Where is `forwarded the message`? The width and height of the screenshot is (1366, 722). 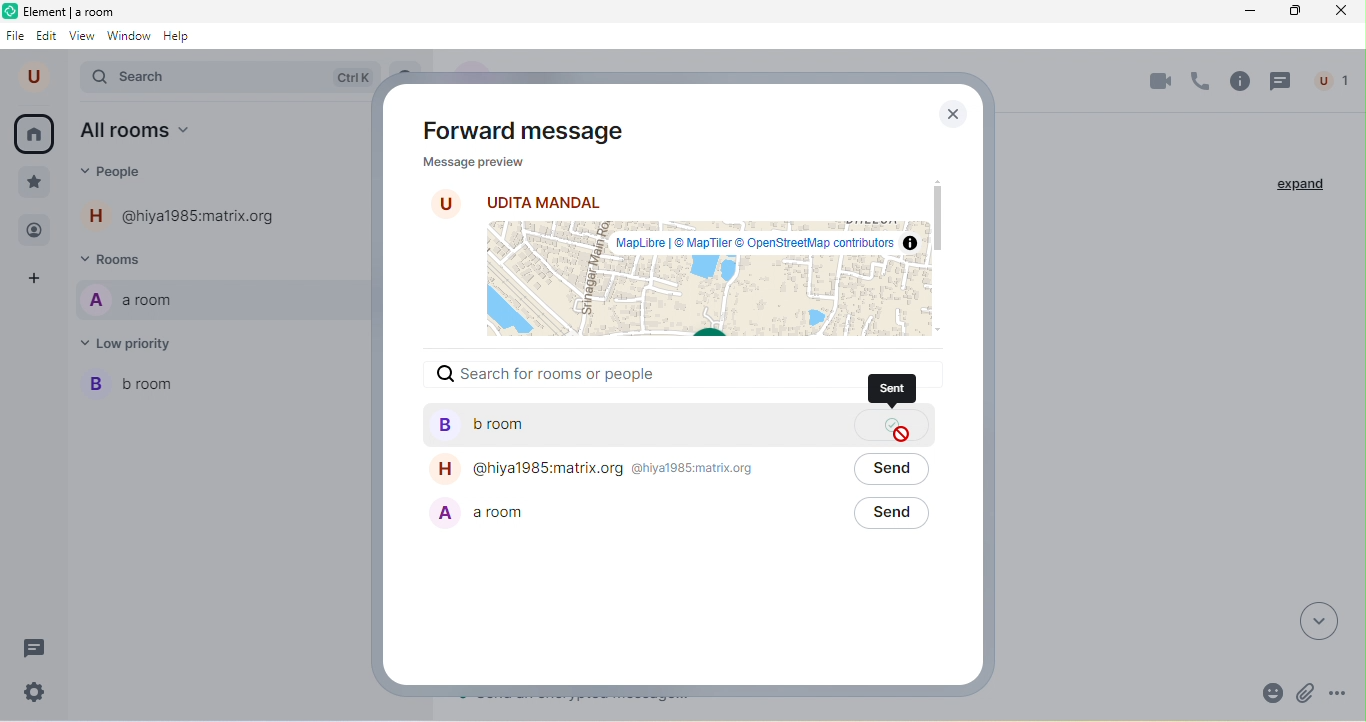
forwarded the message is located at coordinates (900, 423).